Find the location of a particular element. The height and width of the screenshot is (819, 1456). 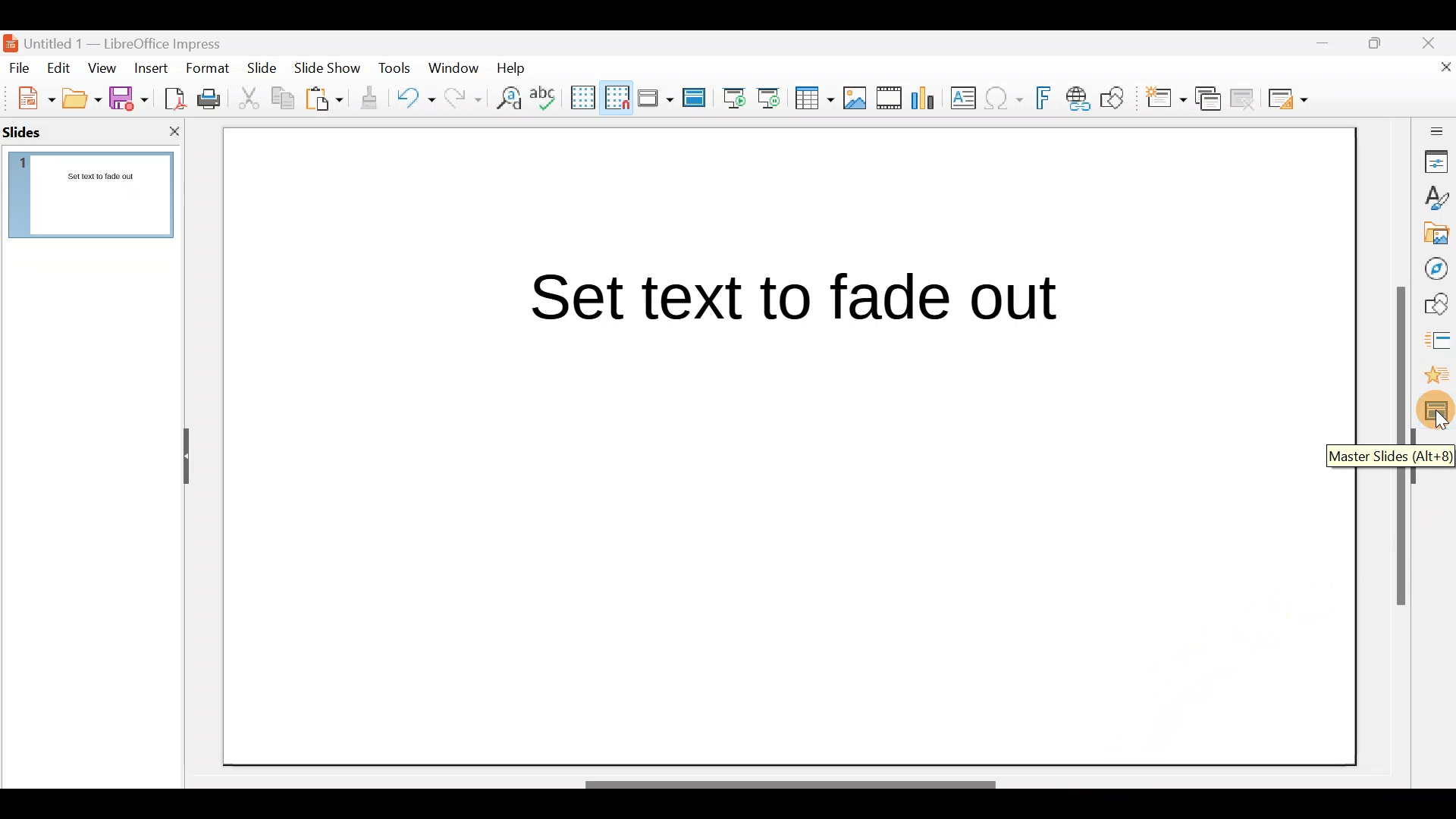

Insert fontwork text is located at coordinates (1046, 101).